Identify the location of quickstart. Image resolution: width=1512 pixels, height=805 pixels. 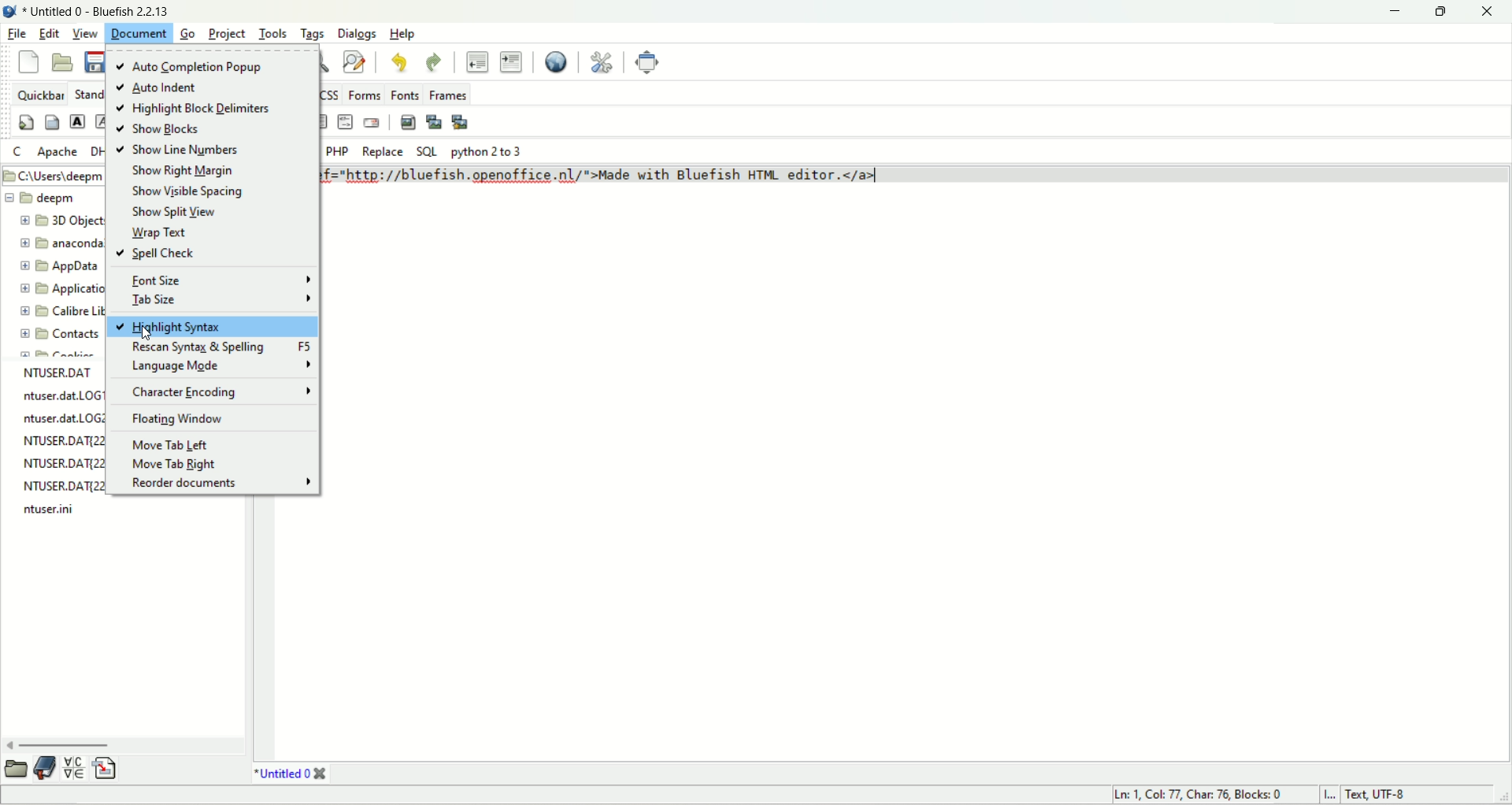
(25, 123).